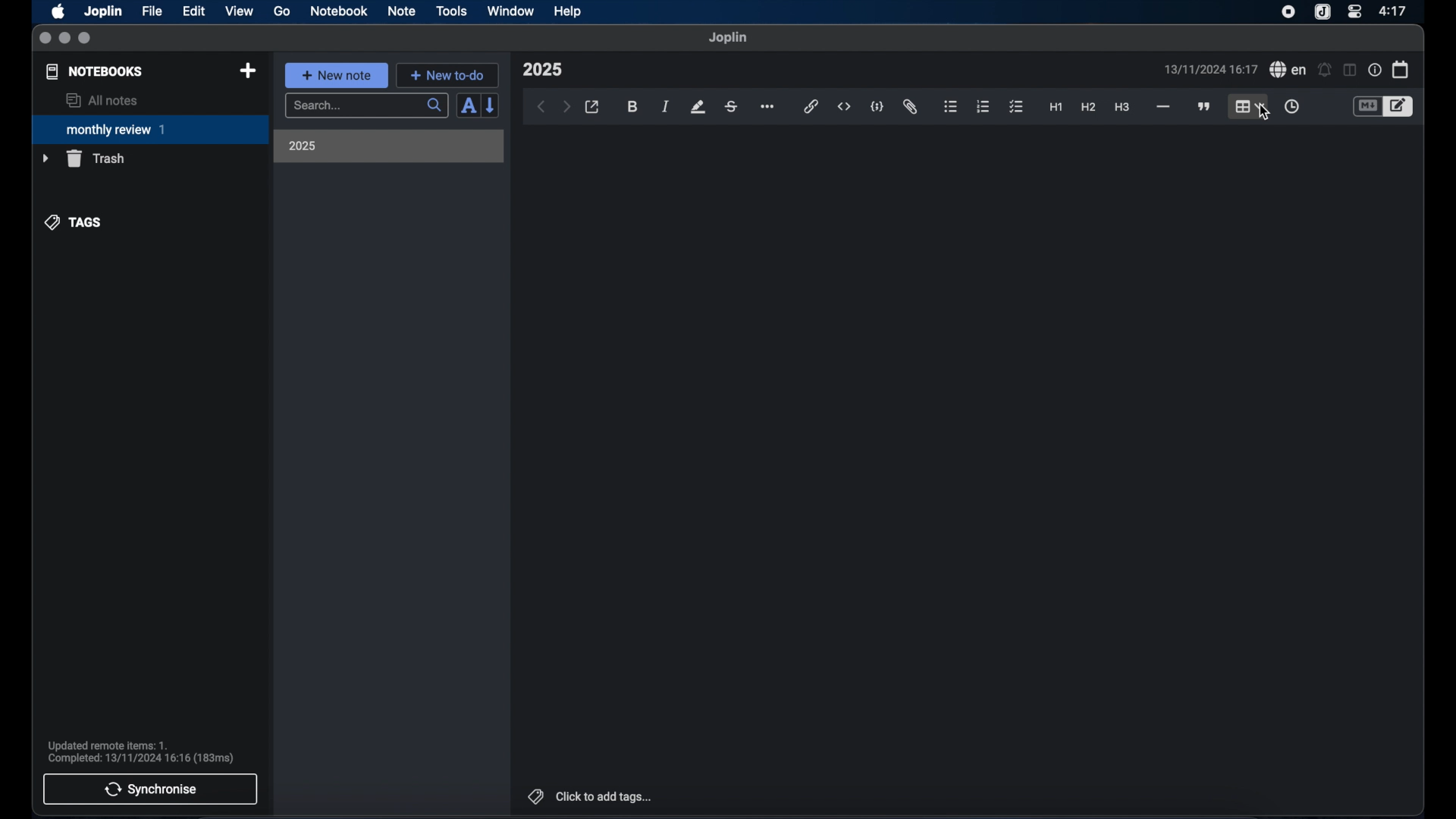 This screenshot has height=819, width=1456. I want to click on horizontal rule, so click(1162, 107).